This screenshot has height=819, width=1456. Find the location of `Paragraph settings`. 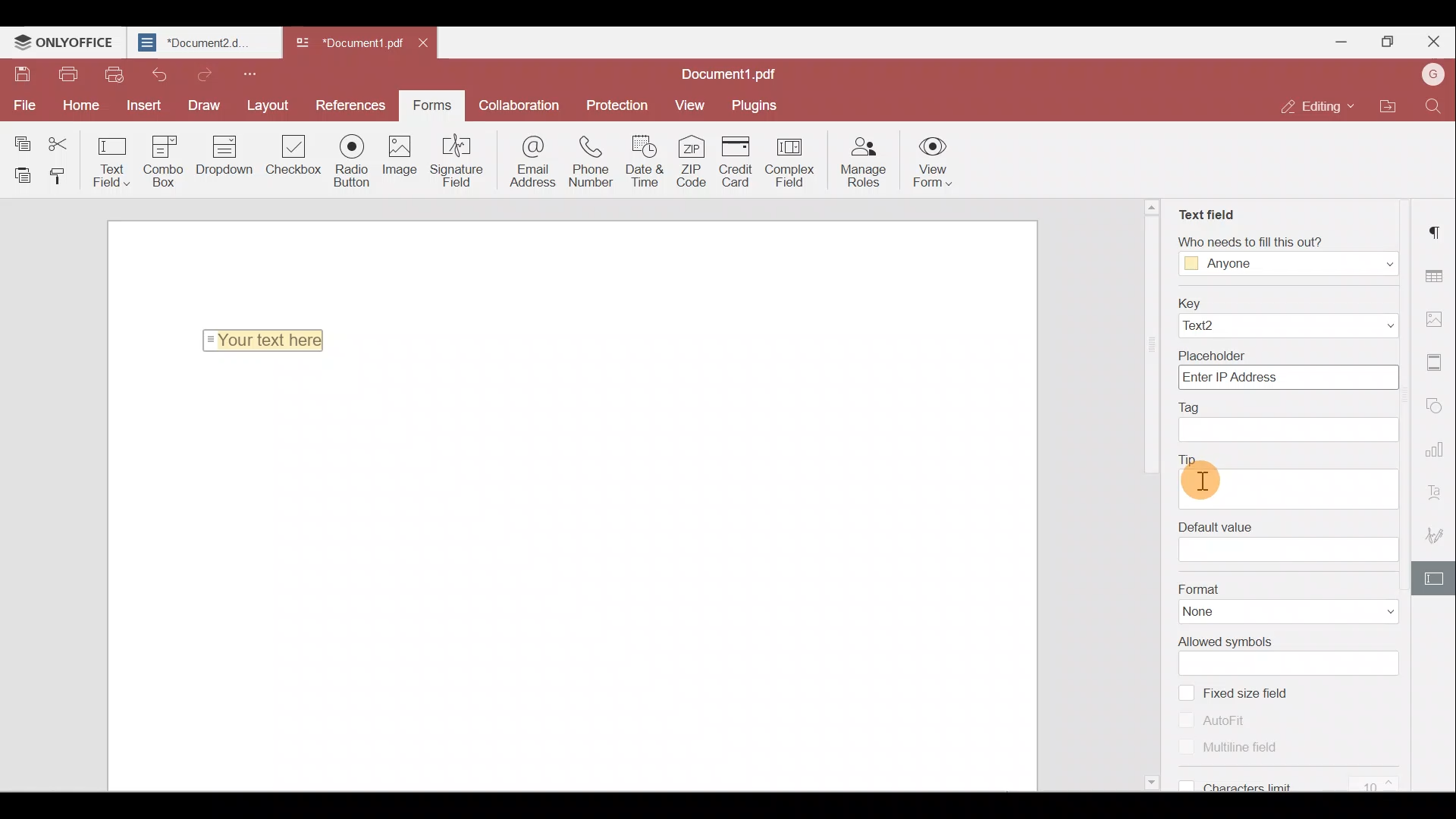

Paragraph settings is located at coordinates (1437, 231).